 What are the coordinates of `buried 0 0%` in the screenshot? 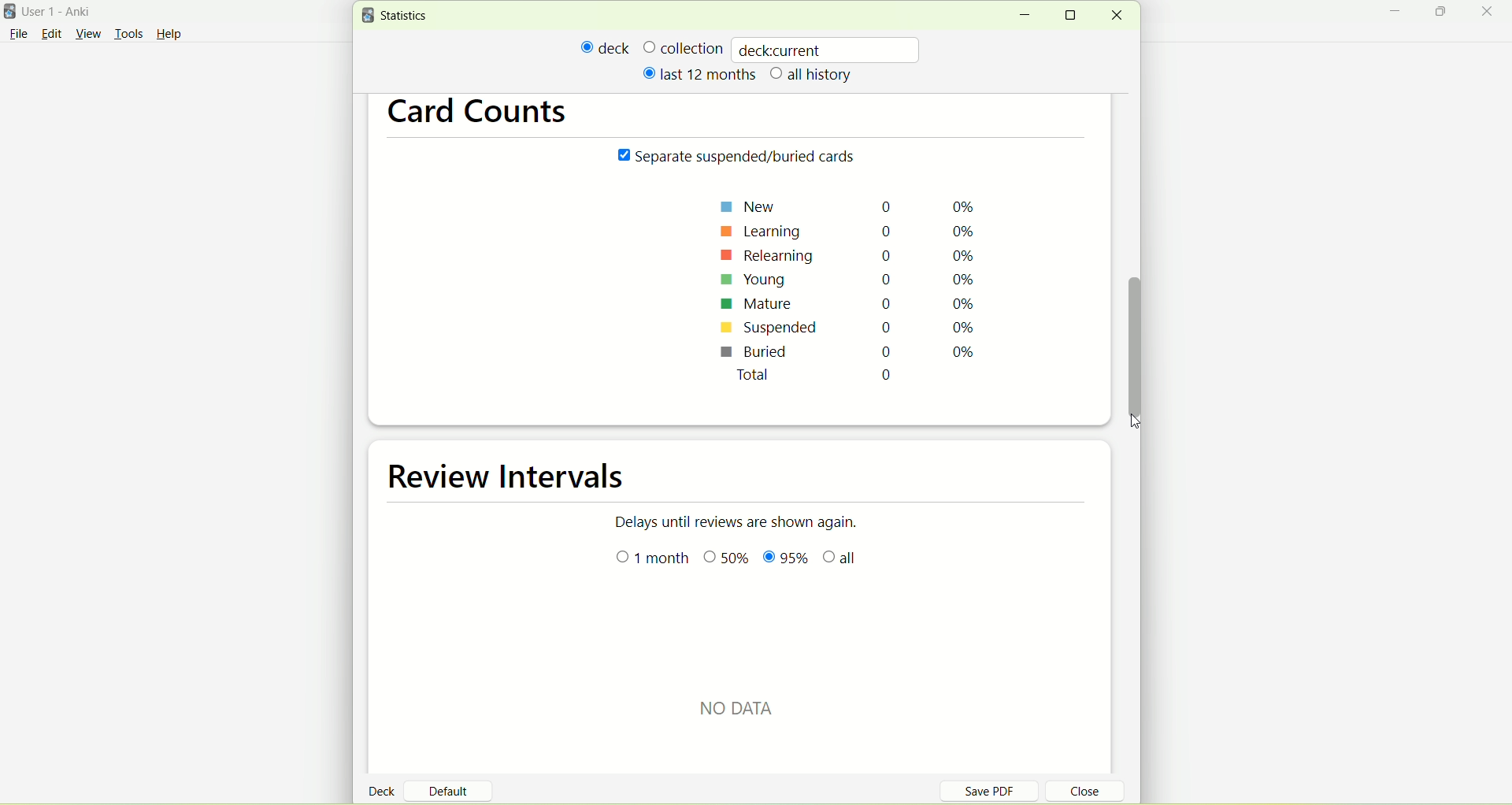 It's located at (847, 354).